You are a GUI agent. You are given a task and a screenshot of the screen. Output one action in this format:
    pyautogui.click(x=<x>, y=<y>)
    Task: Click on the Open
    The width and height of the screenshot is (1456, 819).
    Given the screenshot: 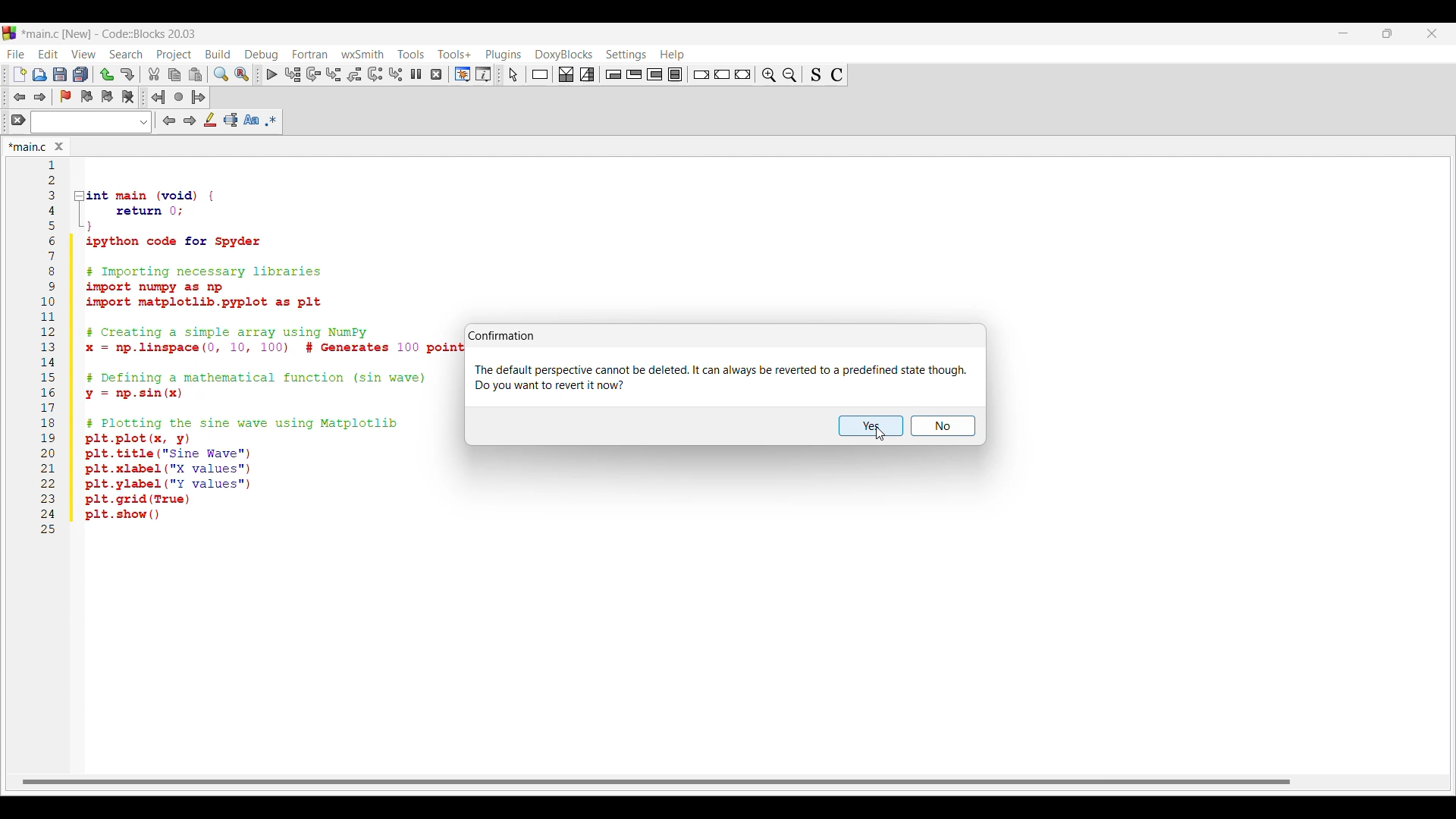 What is the action you would take?
    pyautogui.click(x=39, y=74)
    